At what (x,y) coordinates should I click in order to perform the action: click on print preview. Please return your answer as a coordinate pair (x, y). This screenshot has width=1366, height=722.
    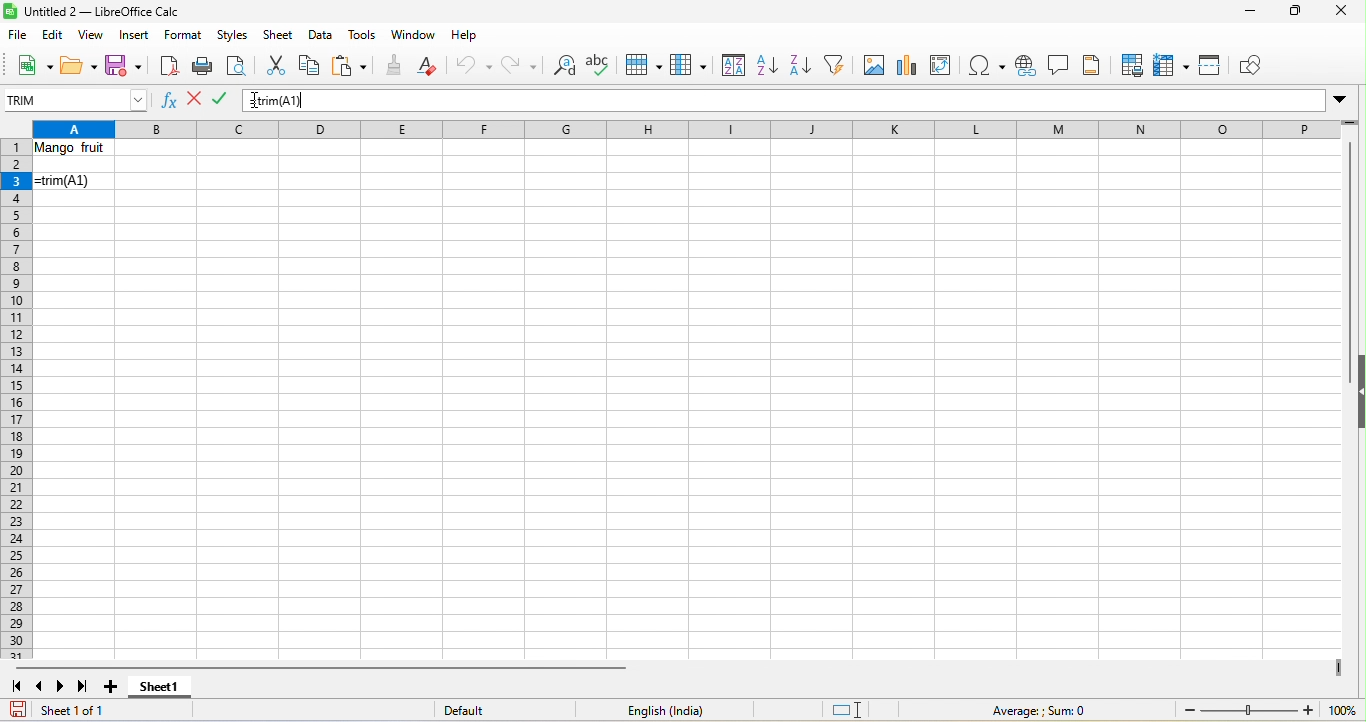
    Looking at the image, I should click on (237, 66).